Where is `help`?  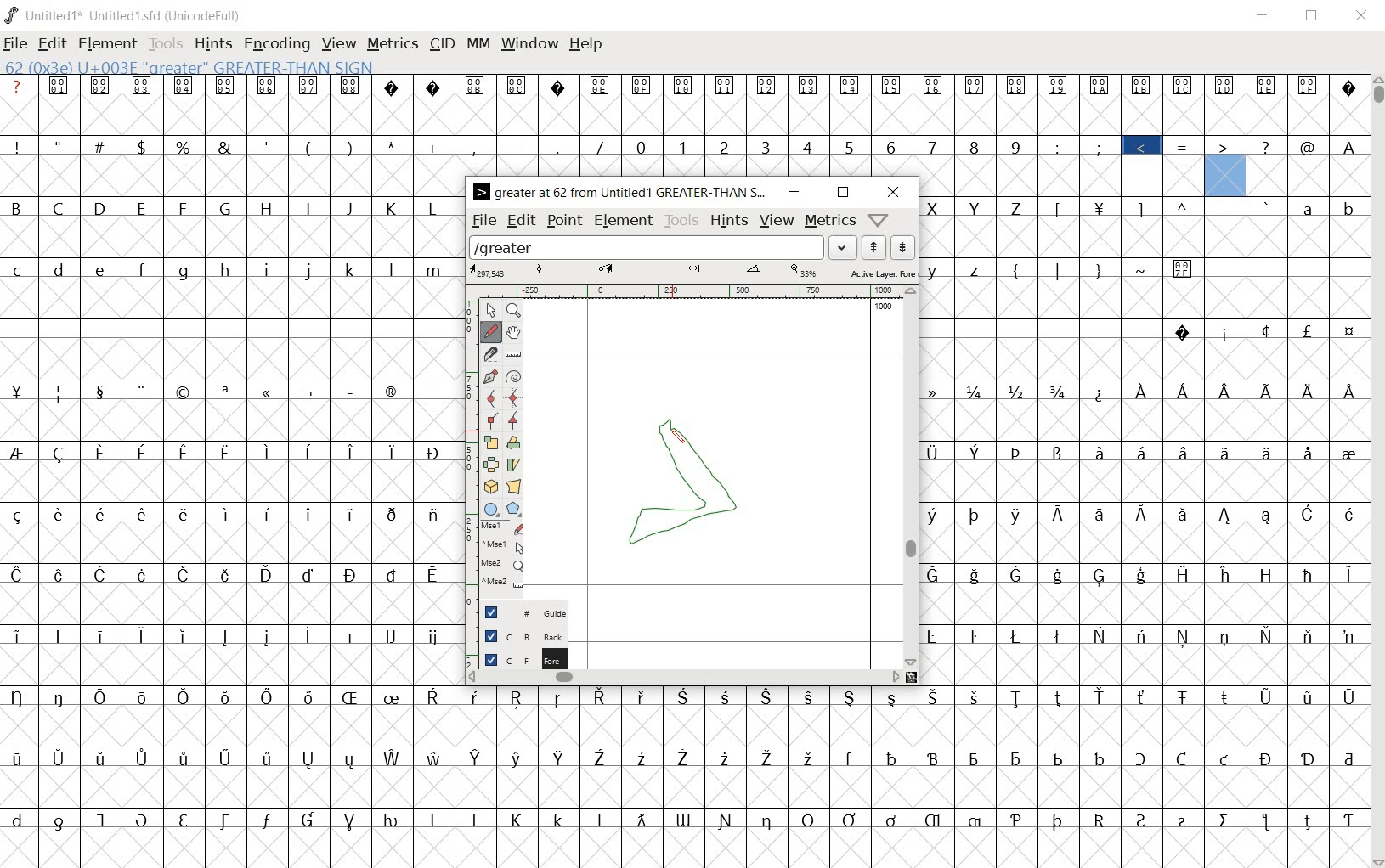
help is located at coordinates (585, 44).